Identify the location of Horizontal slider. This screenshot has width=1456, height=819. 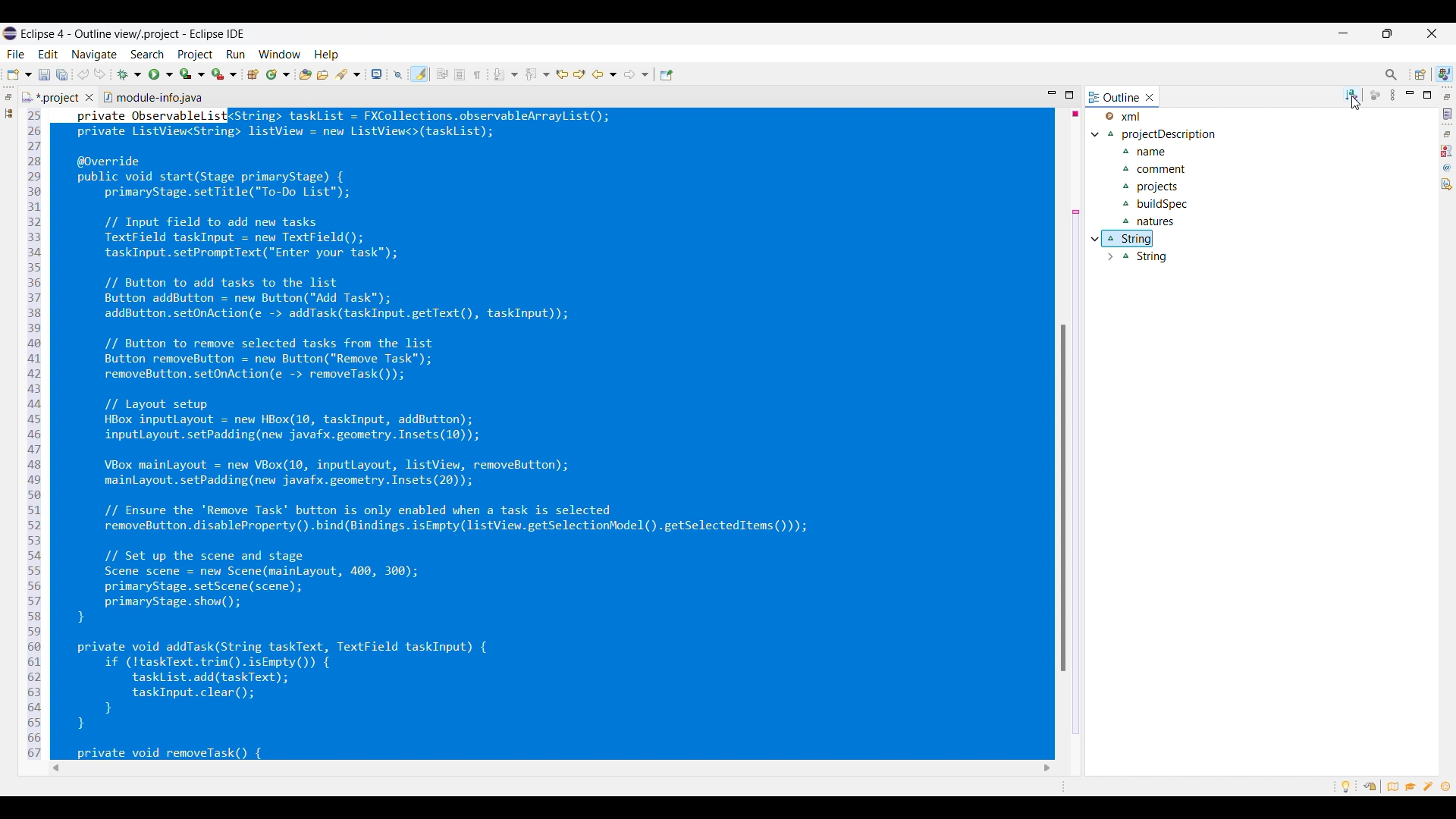
(730, 768).